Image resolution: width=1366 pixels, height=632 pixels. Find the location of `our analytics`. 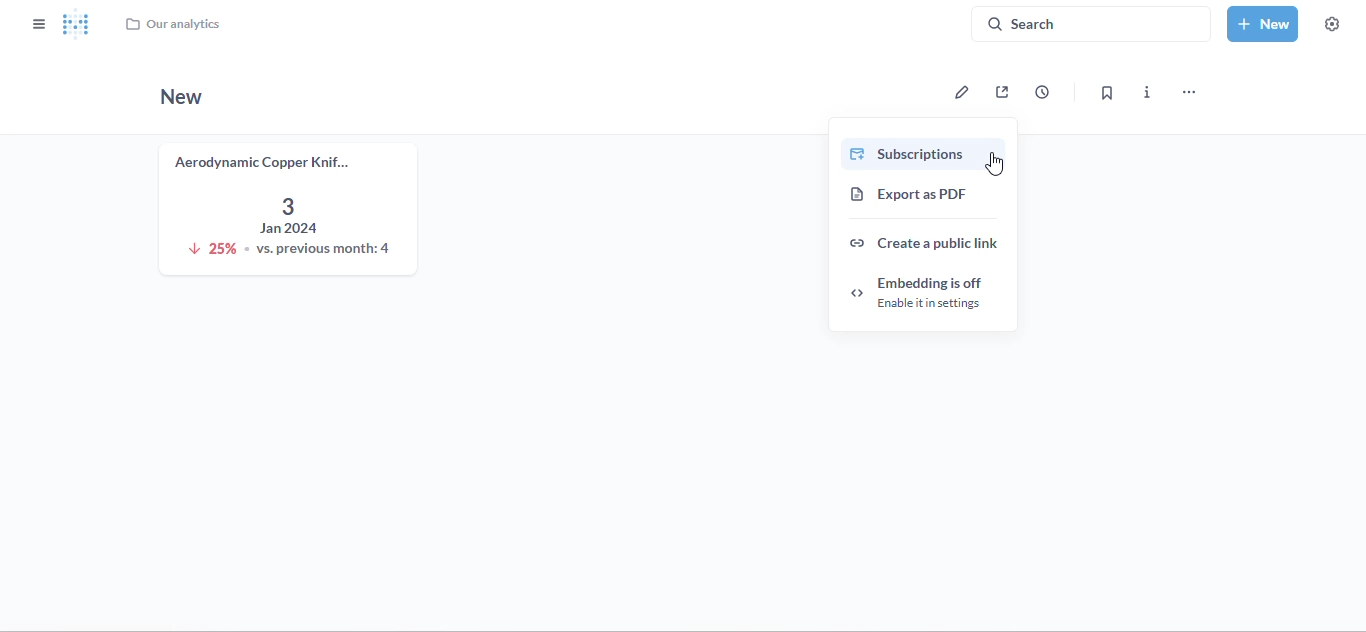

our analytics is located at coordinates (172, 24).